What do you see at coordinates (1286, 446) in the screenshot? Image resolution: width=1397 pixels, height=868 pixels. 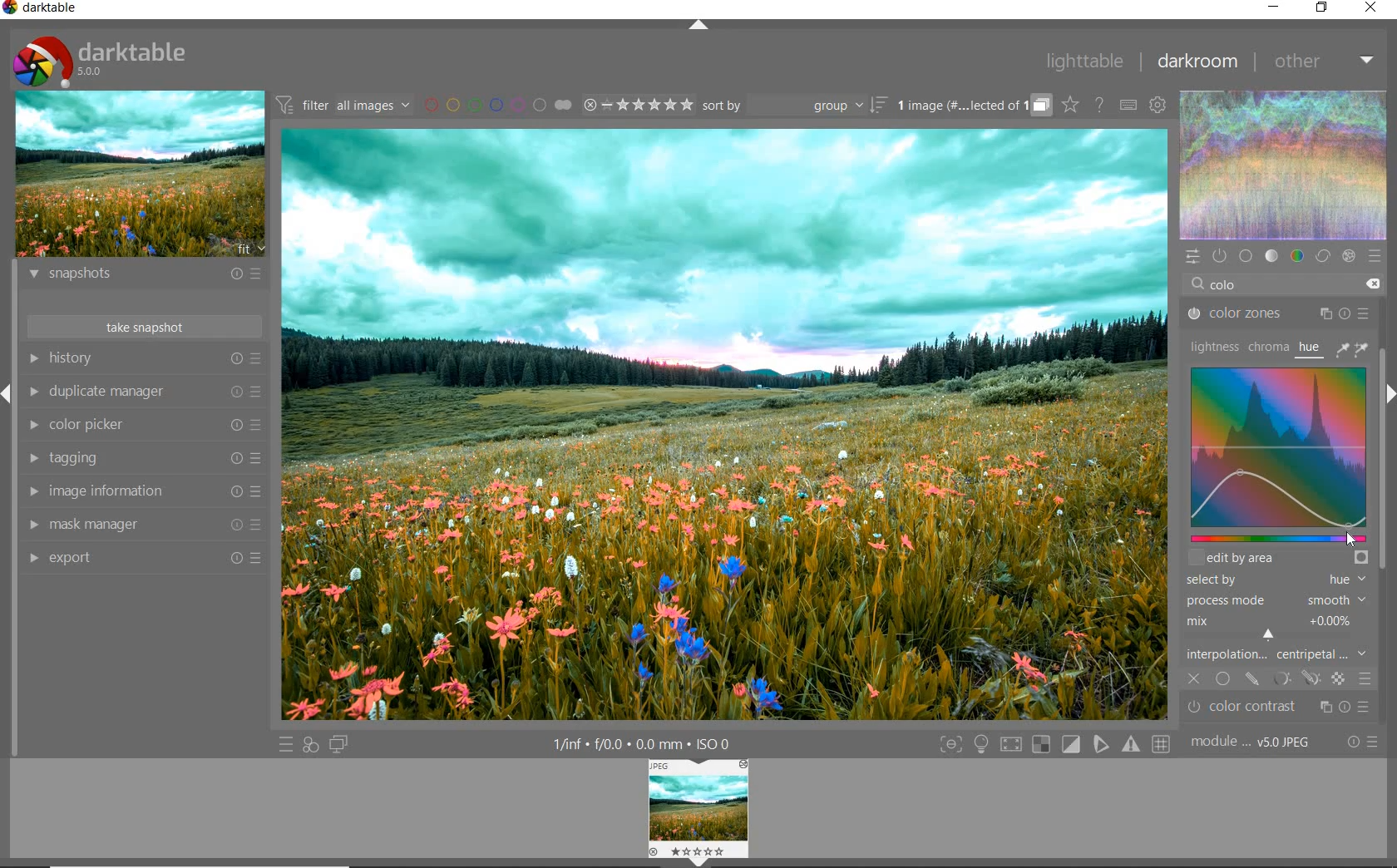 I see `Colorize` at bounding box center [1286, 446].